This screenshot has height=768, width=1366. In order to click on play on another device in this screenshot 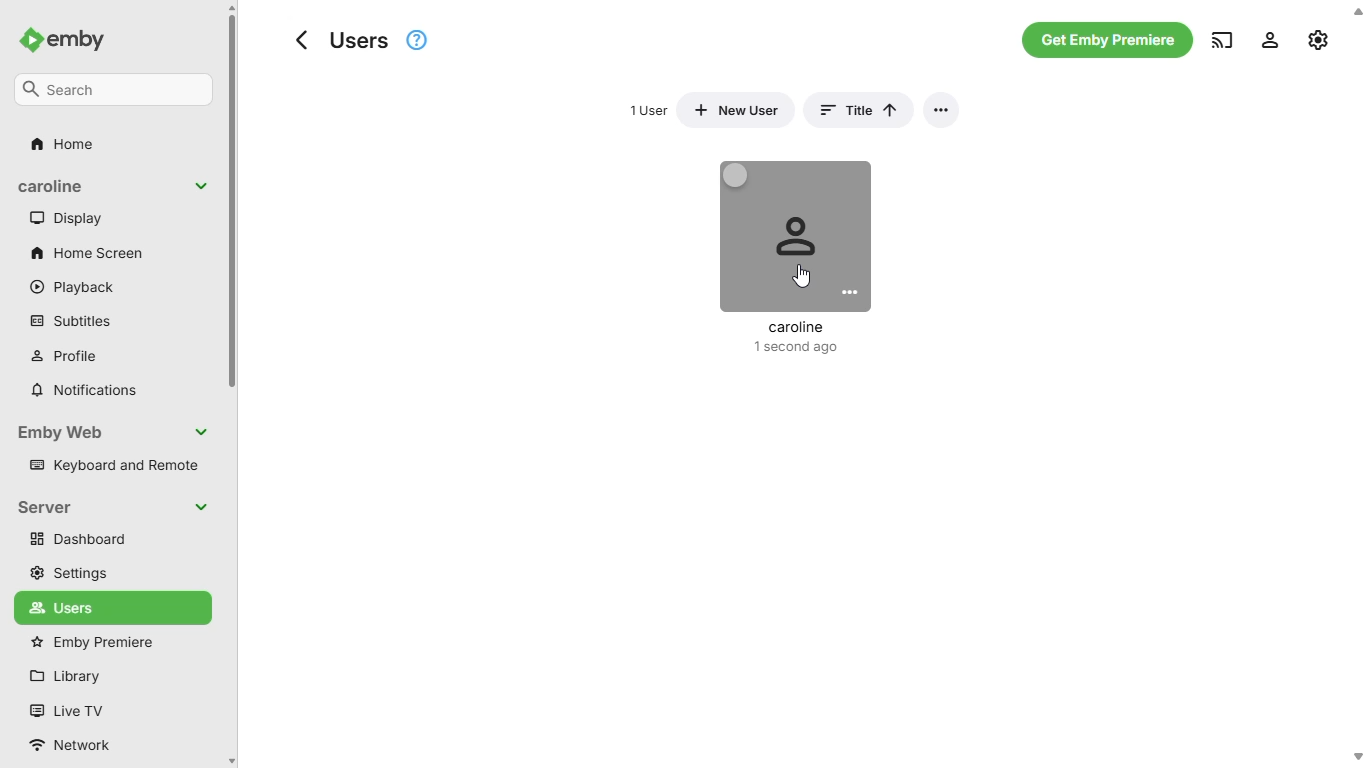, I will do `click(1223, 39)`.